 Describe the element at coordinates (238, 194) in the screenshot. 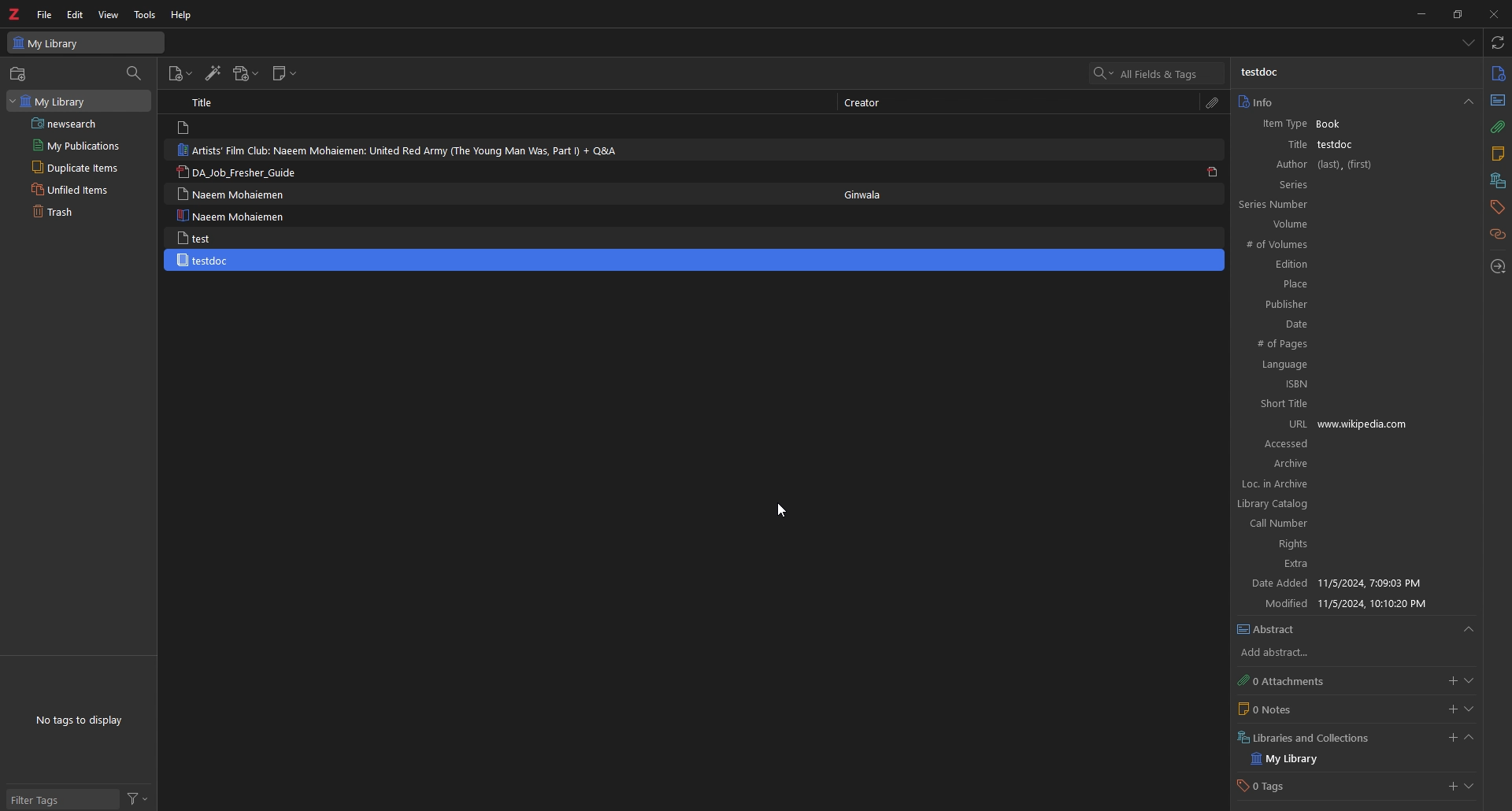

I see `Naeem Mohaiemen` at that location.